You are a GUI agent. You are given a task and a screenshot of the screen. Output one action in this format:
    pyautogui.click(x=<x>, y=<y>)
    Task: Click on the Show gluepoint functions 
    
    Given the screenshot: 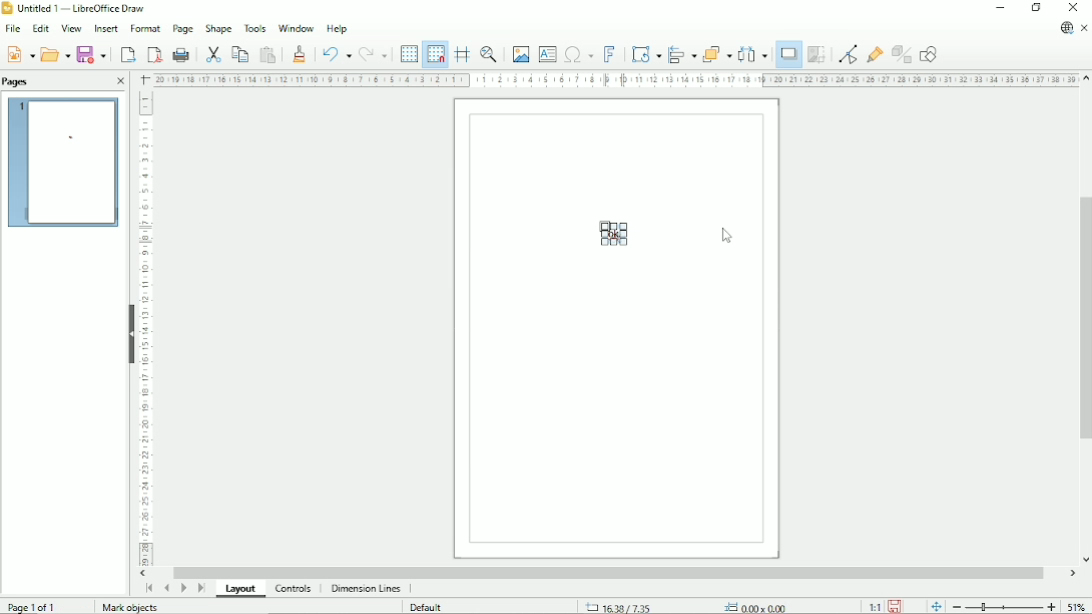 What is the action you would take?
    pyautogui.click(x=875, y=54)
    